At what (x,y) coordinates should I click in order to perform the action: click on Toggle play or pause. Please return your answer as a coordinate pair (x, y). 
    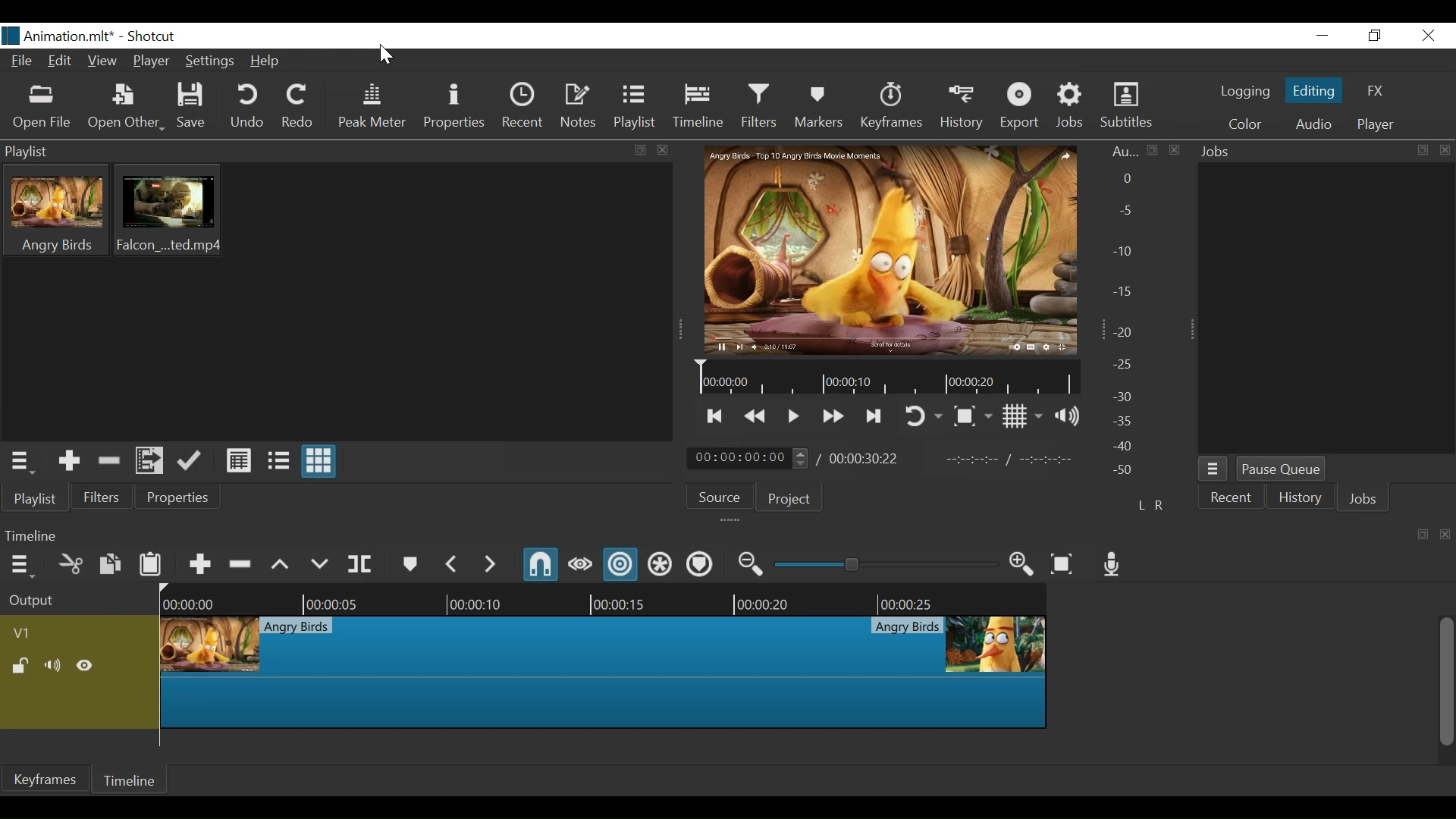
    Looking at the image, I should click on (794, 416).